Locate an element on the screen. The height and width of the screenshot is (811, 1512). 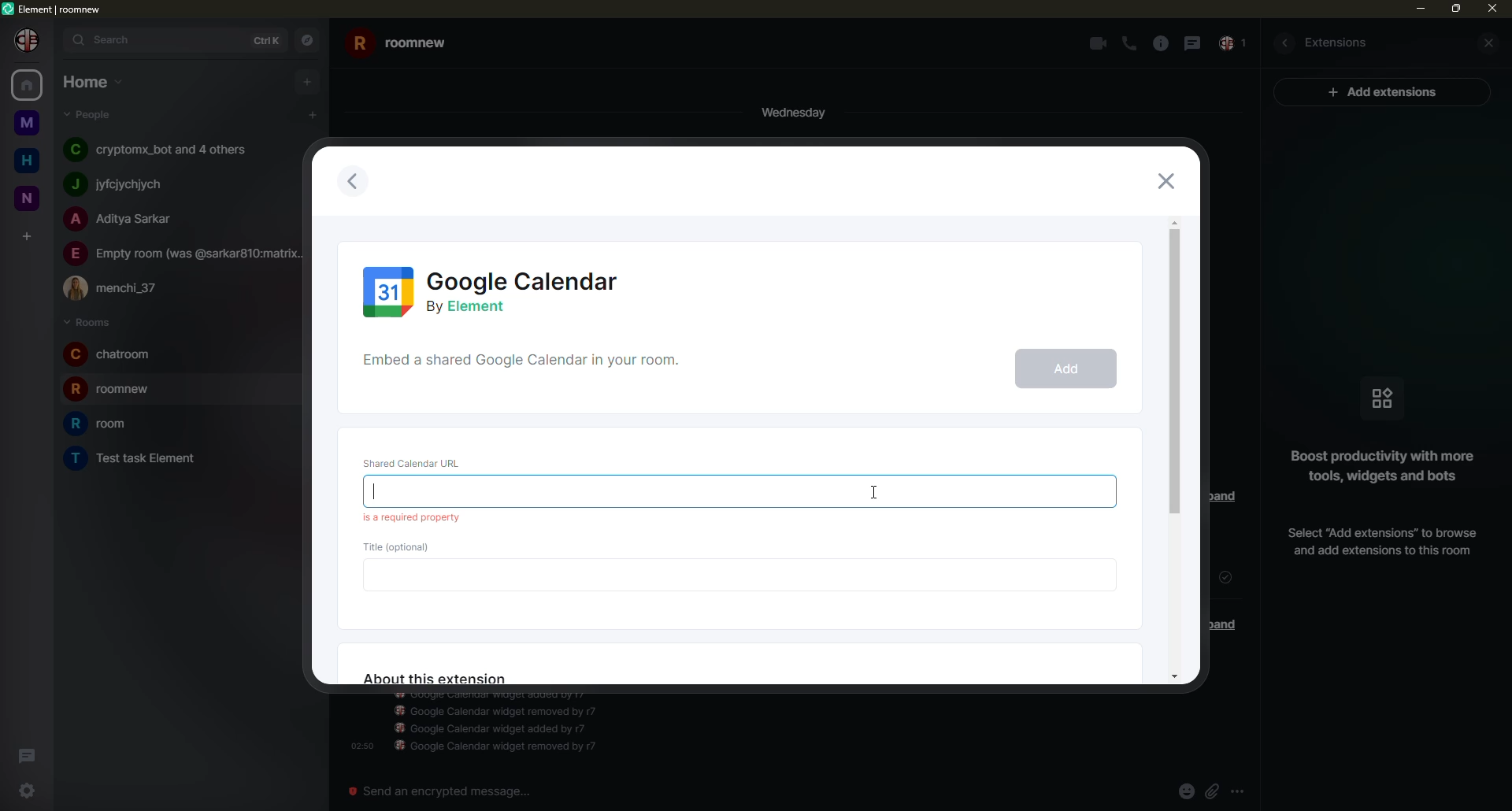
video is located at coordinates (1097, 44).